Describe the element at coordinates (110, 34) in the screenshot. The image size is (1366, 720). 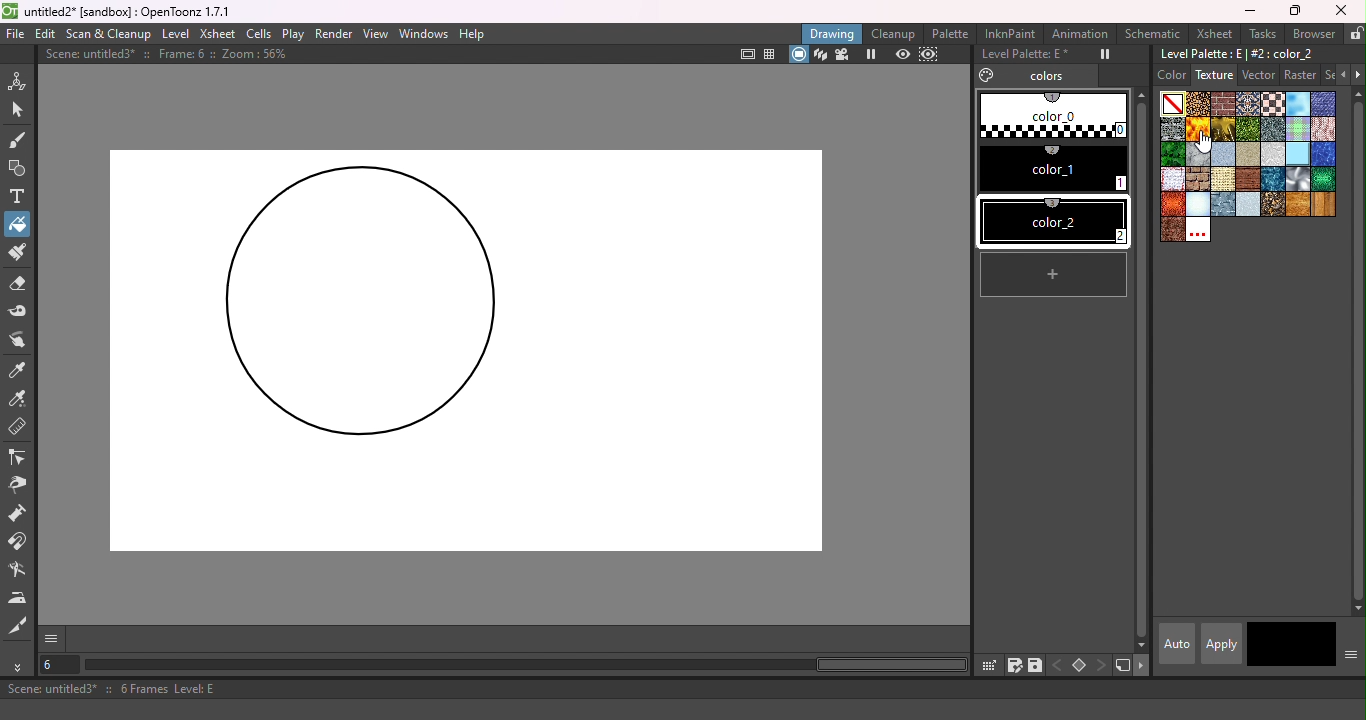
I see `Scan & Clenaup` at that location.